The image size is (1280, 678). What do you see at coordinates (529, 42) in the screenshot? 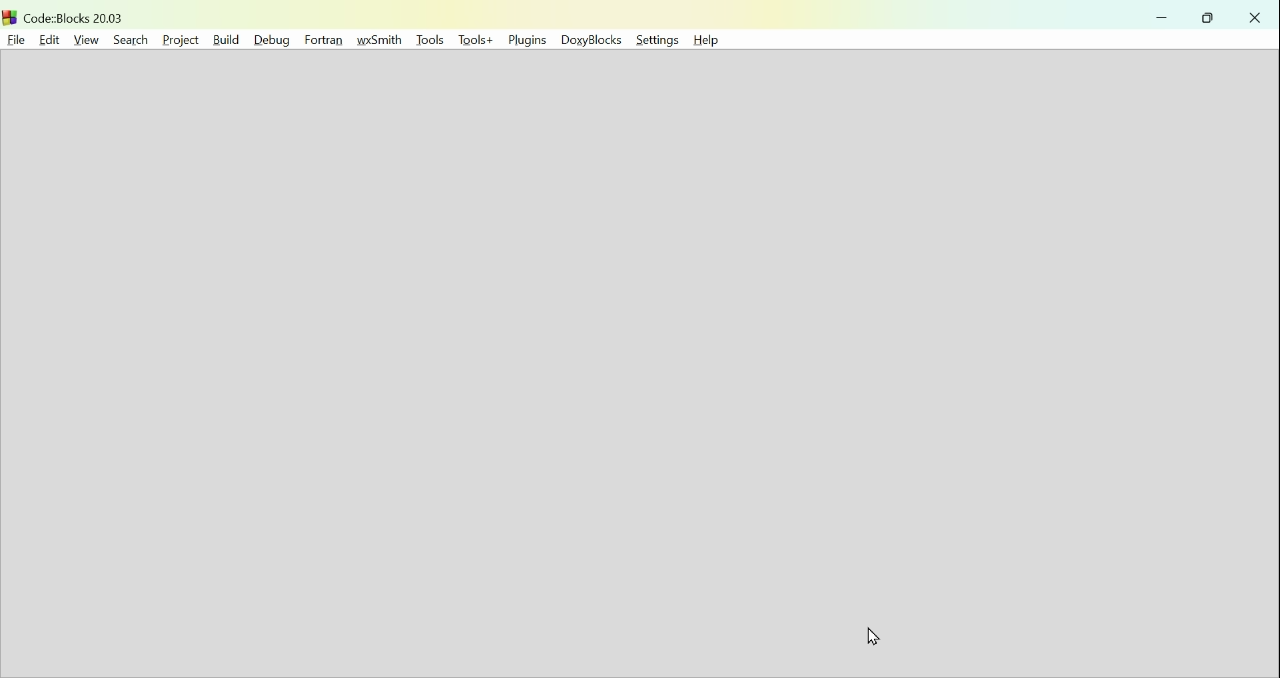
I see `Plugins` at bounding box center [529, 42].